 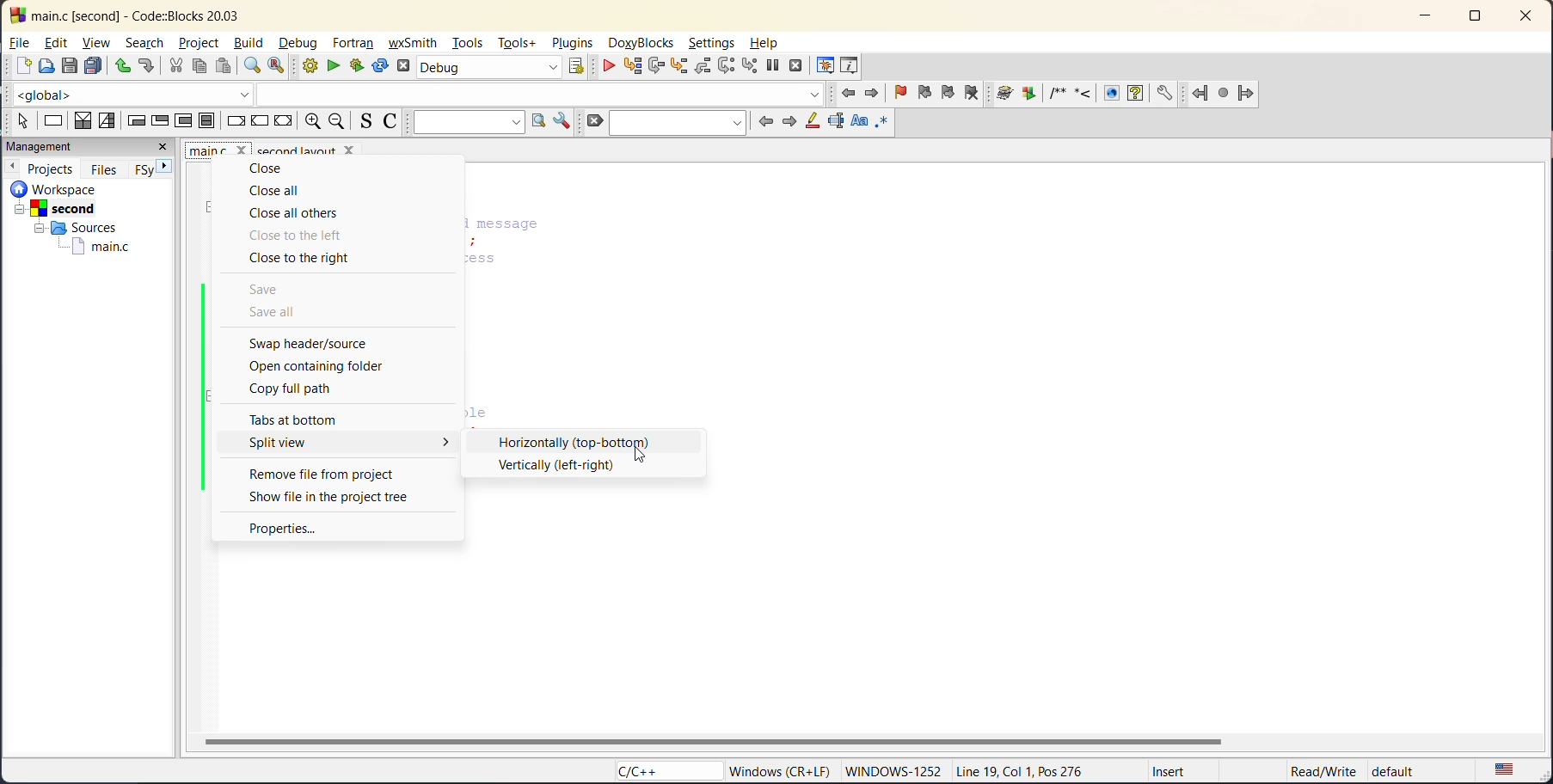 What do you see at coordinates (53, 122) in the screenshot?
I see `instruction` at bounding box center [53, 122].